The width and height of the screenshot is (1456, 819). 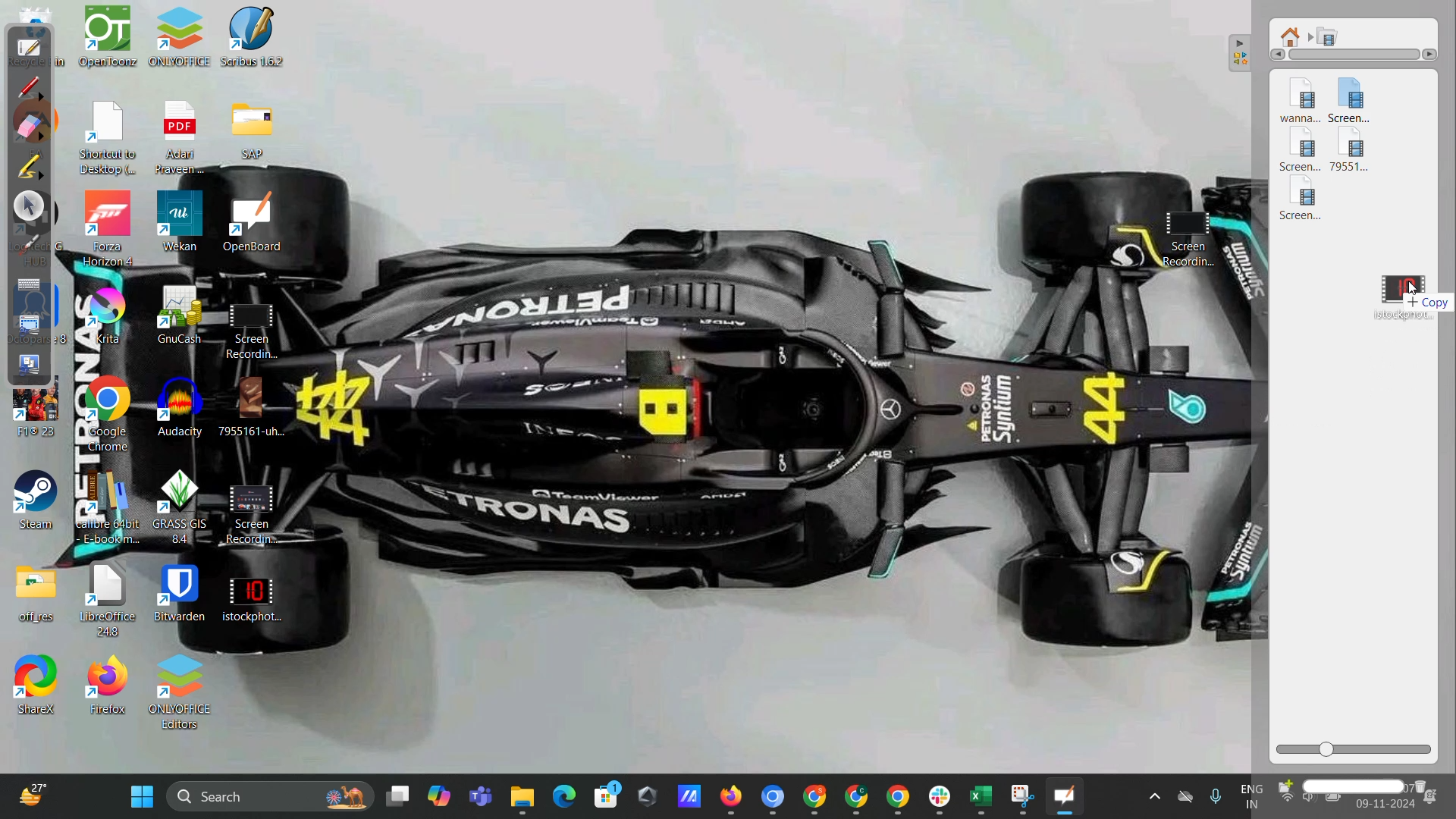 What do you see at coordinates (182, 44) in the screenshot?
I see `OnlyOffice` at bounding box center [182, 44].